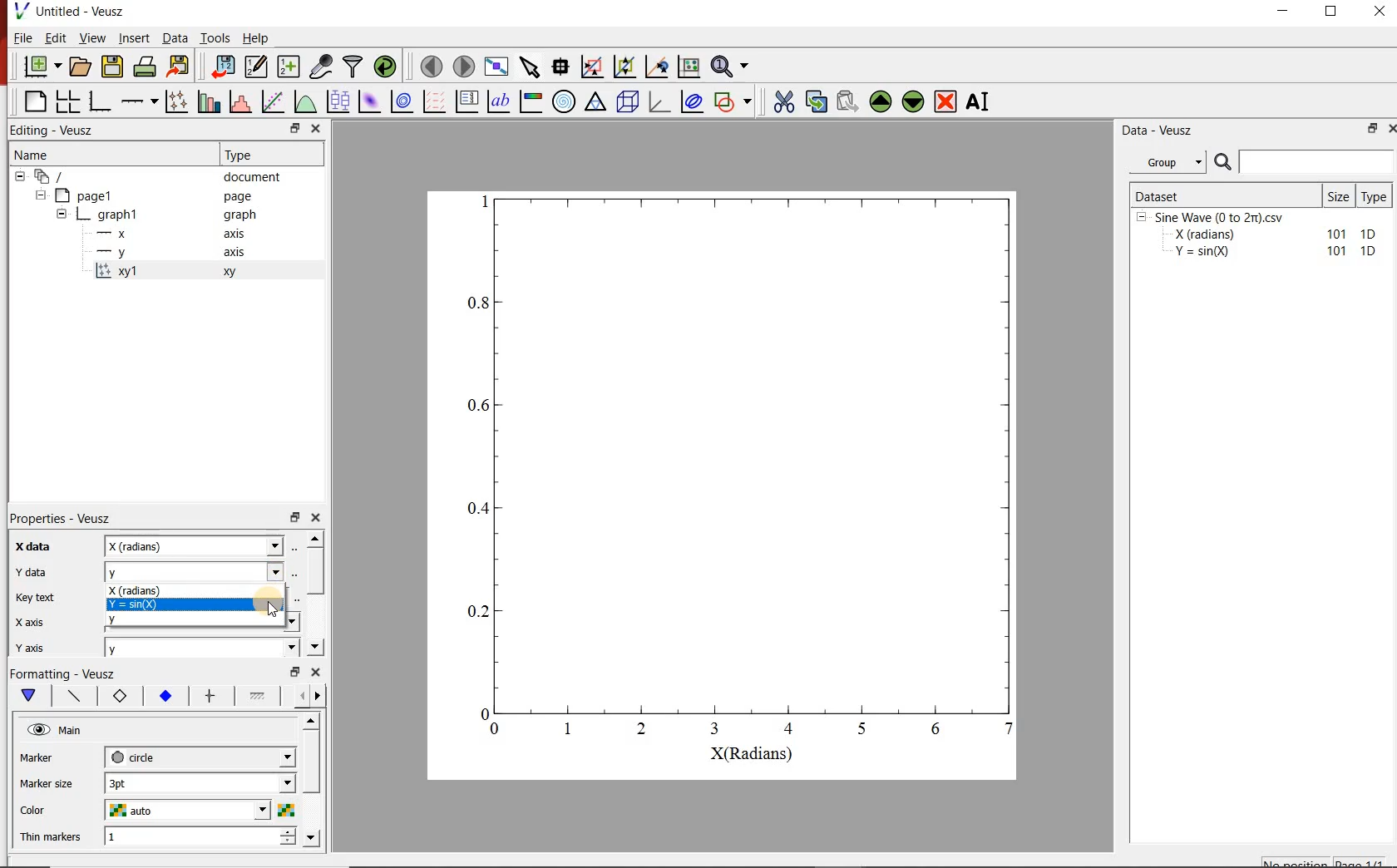 This screenshot has width=1397, height=868. I want to click on Up, so click(310, 722).